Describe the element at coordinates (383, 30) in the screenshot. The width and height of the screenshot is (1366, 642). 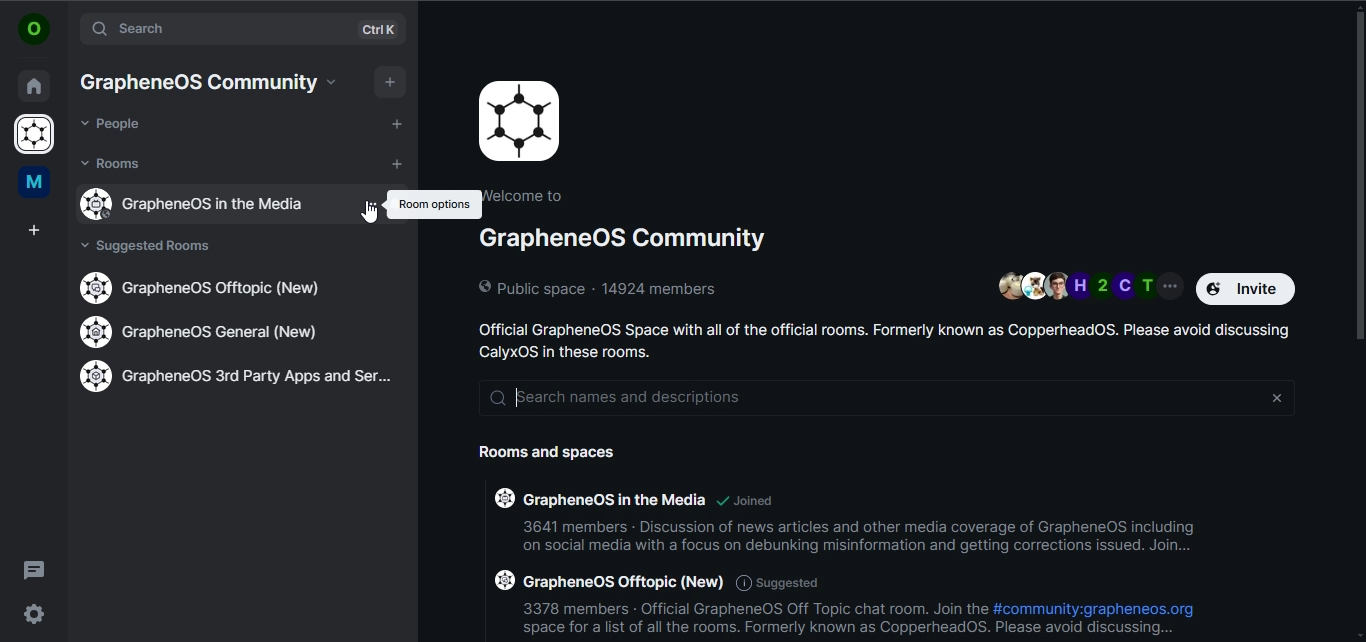
I see `explore room` at that location.